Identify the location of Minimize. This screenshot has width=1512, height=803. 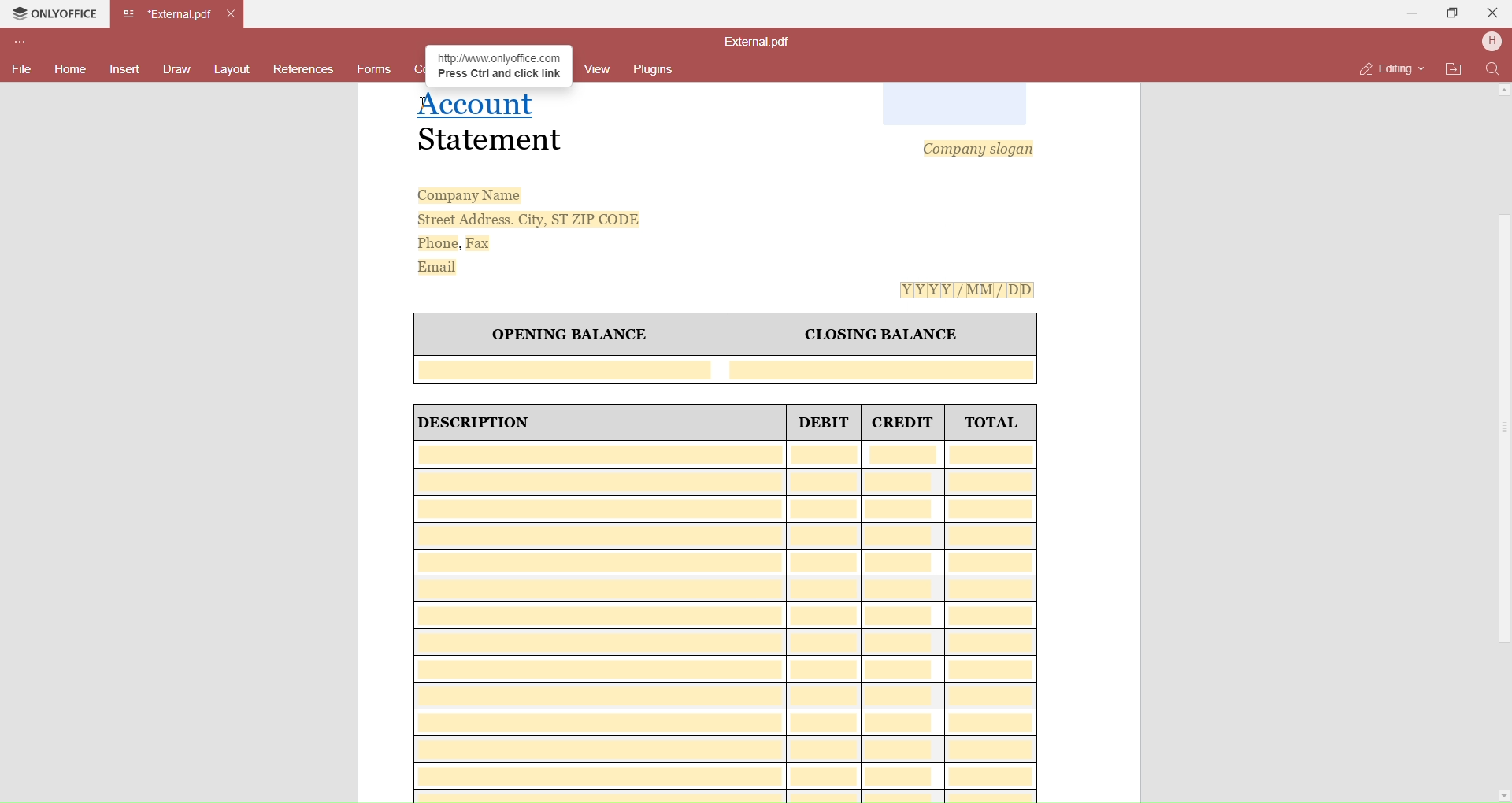
(1407, 16).